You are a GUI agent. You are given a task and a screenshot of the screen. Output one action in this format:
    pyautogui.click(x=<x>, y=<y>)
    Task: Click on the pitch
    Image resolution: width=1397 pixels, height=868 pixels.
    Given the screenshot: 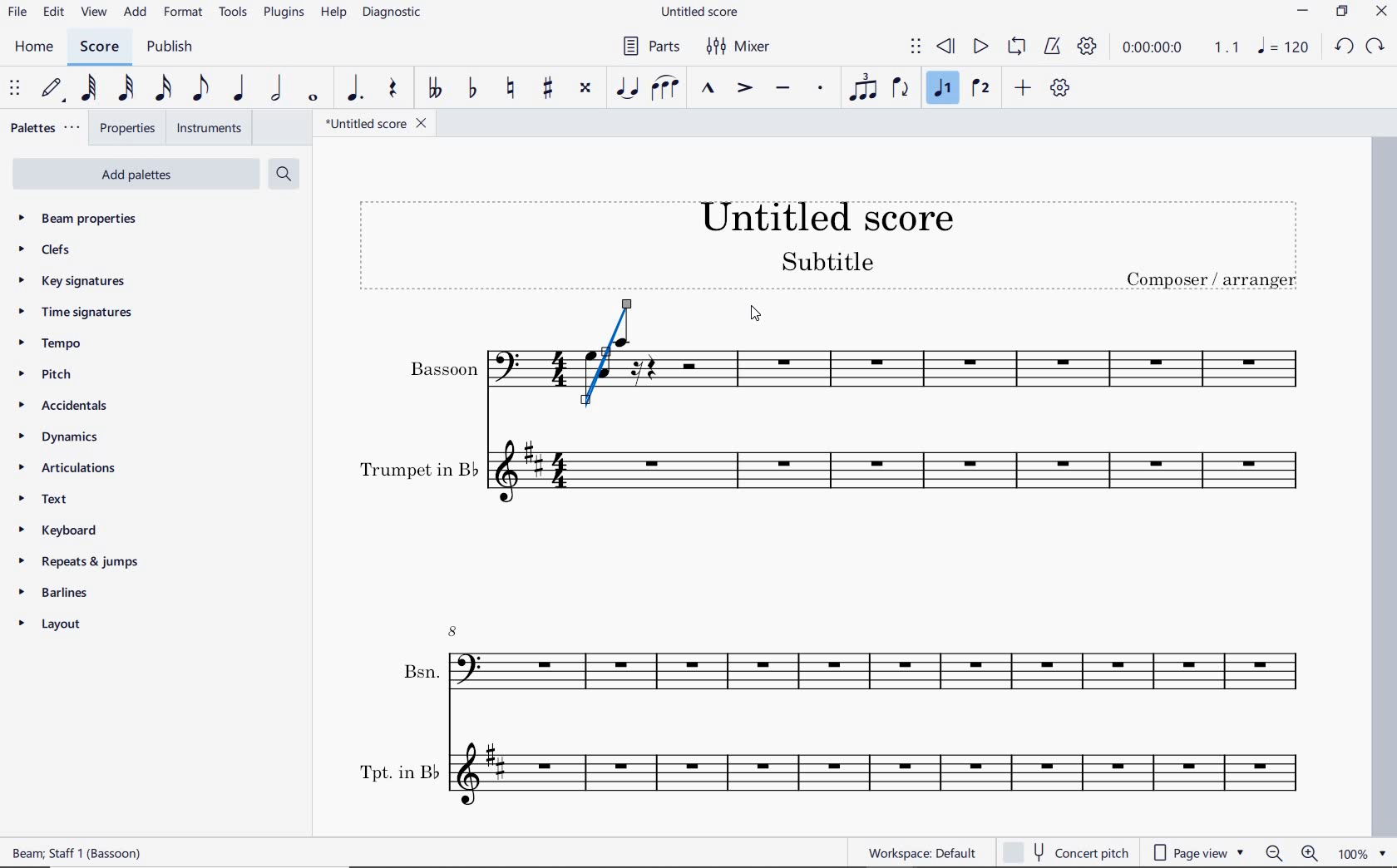 What is the action you would take?
    pyautogui.click(x=48, y=374)
    